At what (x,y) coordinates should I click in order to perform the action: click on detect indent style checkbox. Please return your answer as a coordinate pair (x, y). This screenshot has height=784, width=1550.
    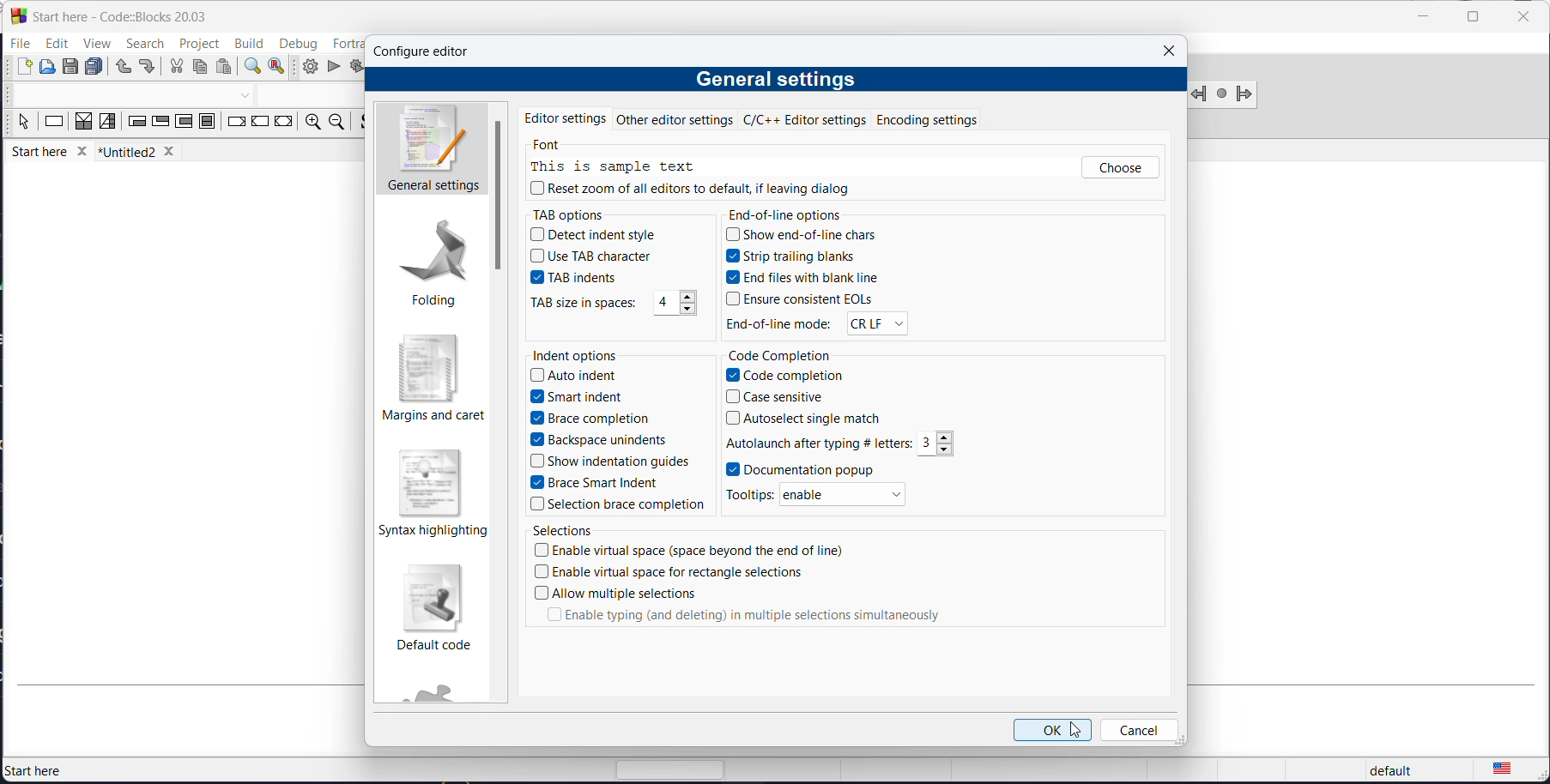
    Looking at the image, I should click on (597, 236).